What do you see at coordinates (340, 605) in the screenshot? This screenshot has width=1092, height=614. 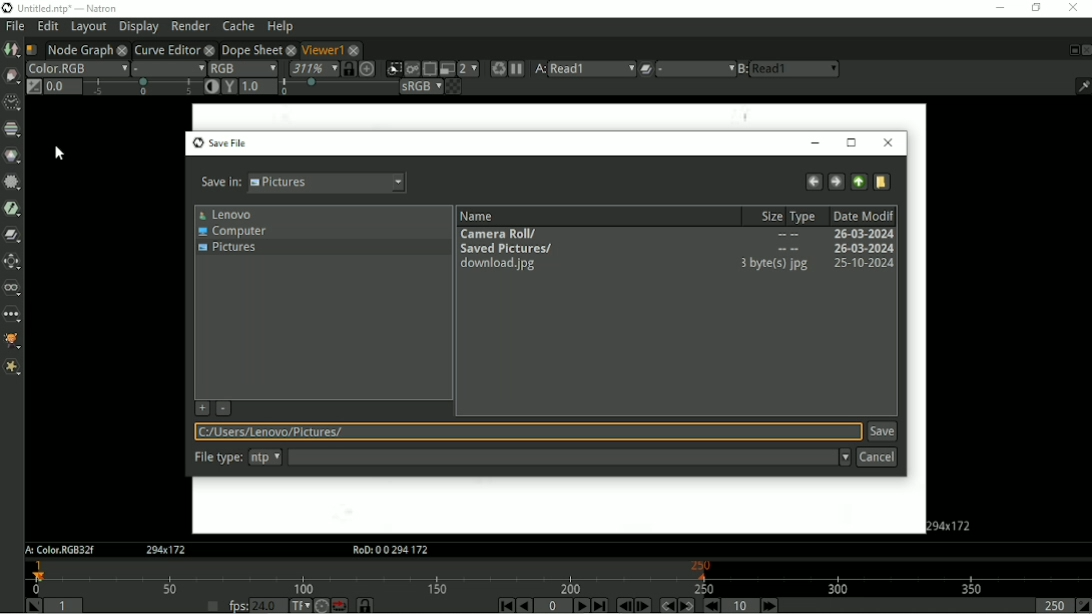 I see `Behaviour` at bounding box center [340, 605].